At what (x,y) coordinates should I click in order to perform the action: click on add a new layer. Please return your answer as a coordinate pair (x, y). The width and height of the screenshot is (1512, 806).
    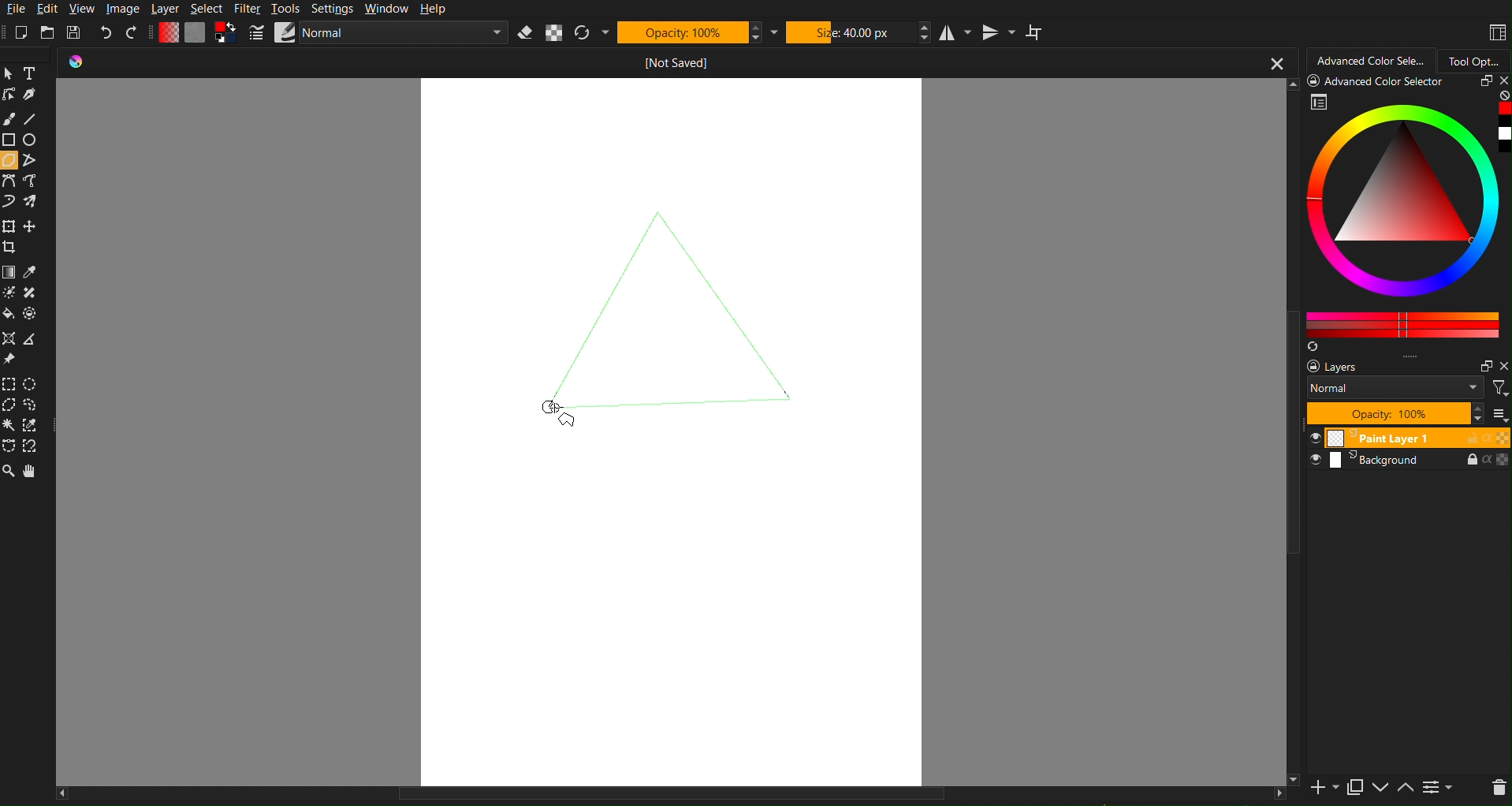
    Looking at the image, I should click on (1322, 789).